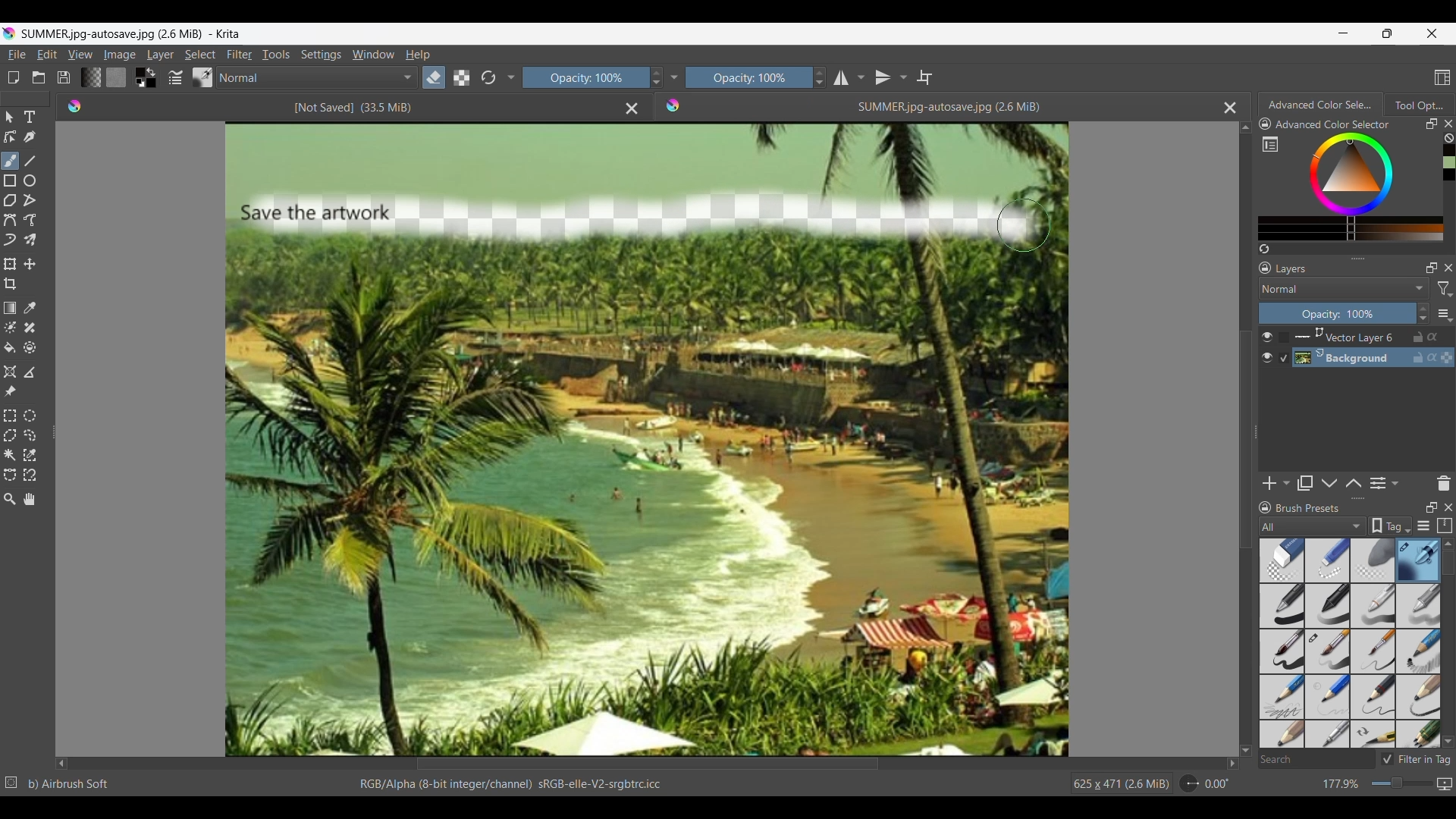  Describe the element at coordinates (1362, 187) in the screenshot. I see `Color selection range` at that location.